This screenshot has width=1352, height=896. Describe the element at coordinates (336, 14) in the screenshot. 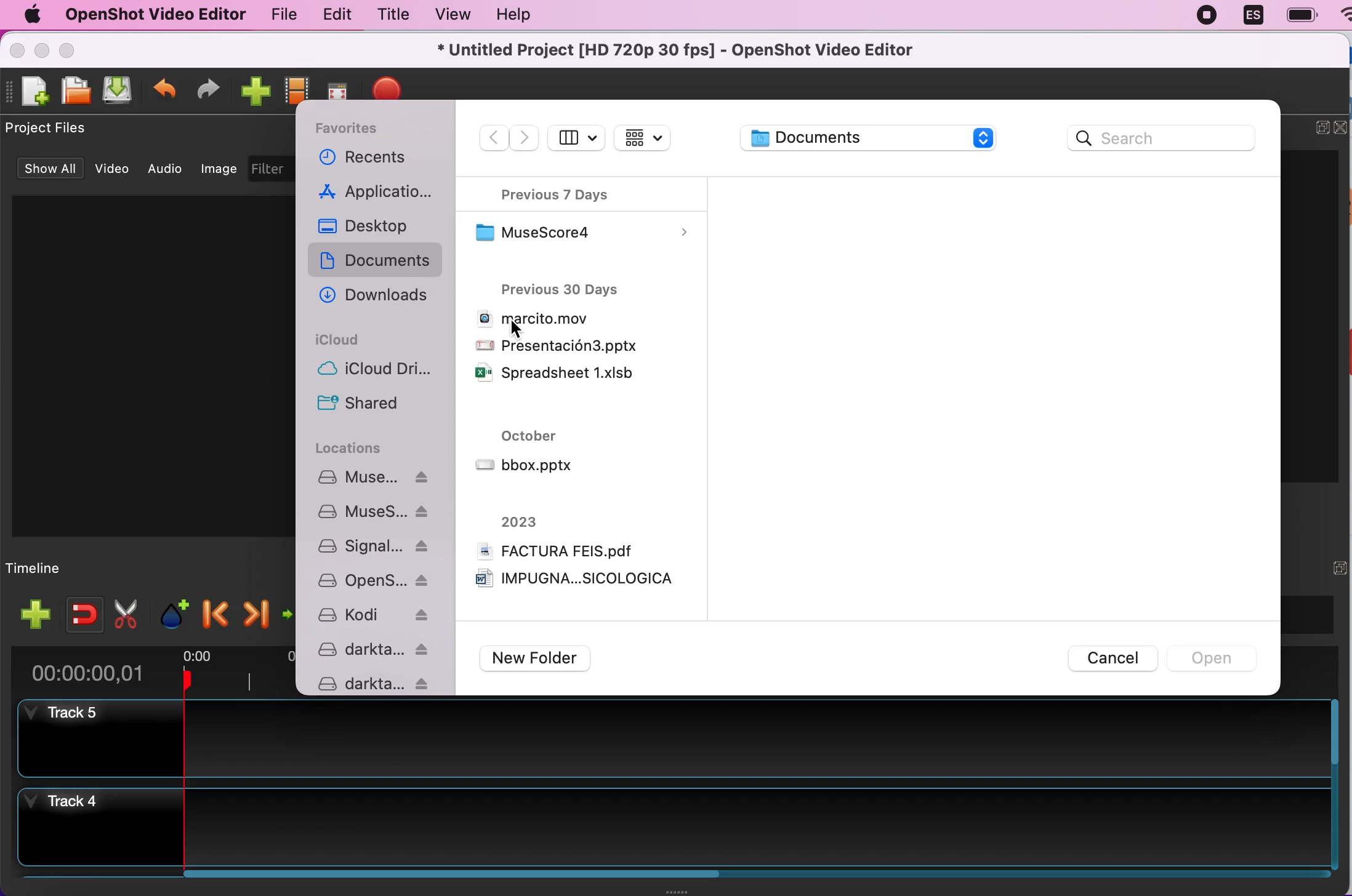

I see `edit` at that location.